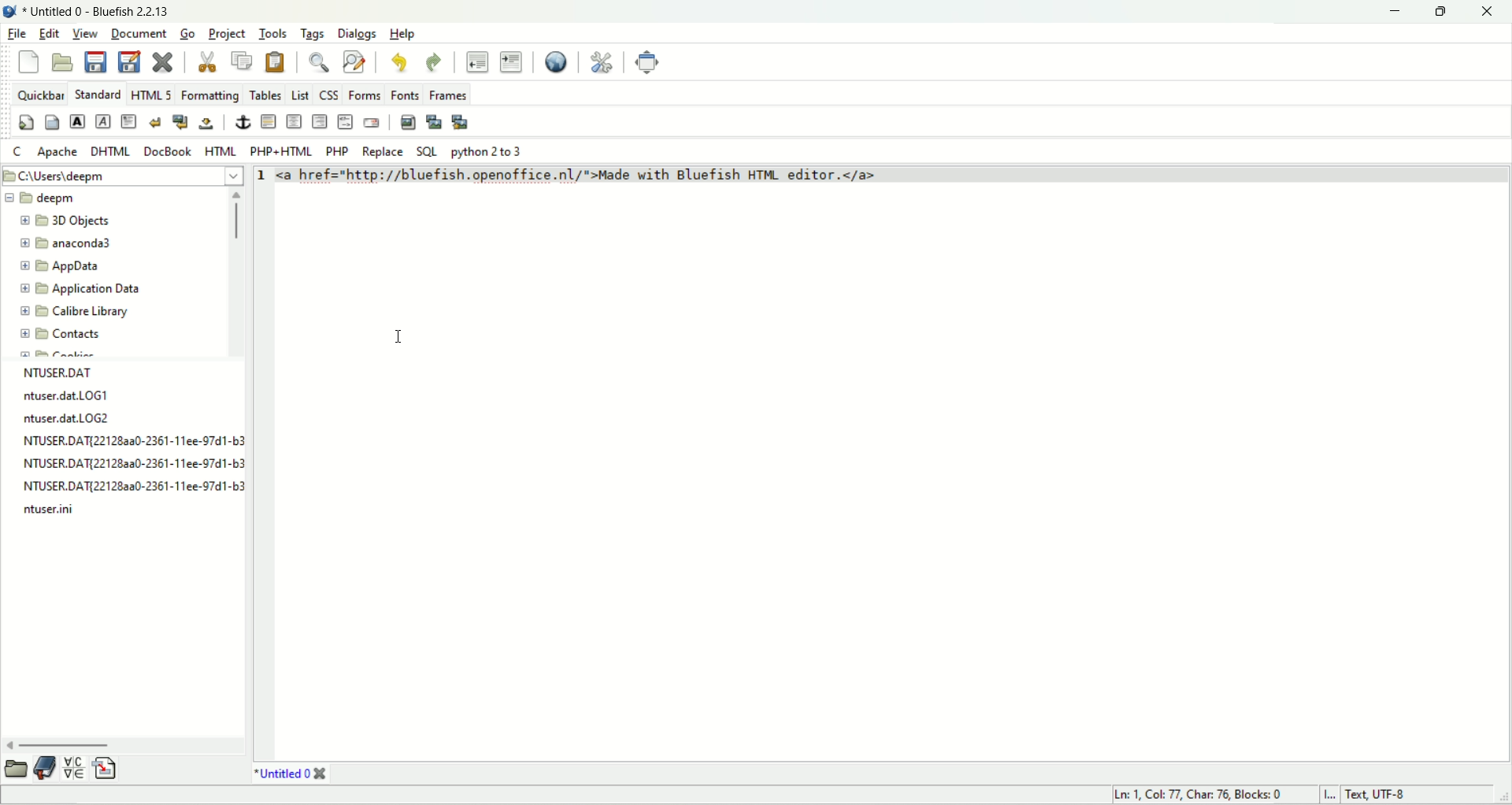  I want to click on list, so click(298, 93).